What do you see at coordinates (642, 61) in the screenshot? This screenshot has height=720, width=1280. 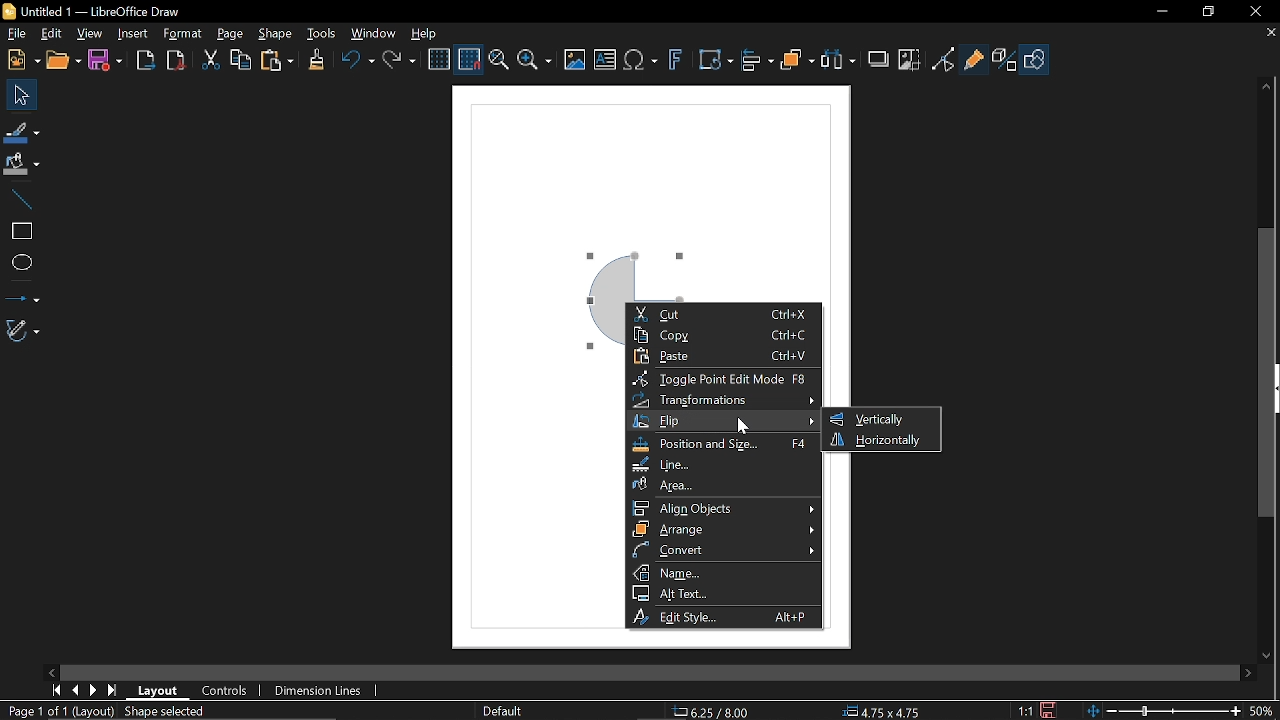 I see `insert equation` at bounding box center [642, 61].